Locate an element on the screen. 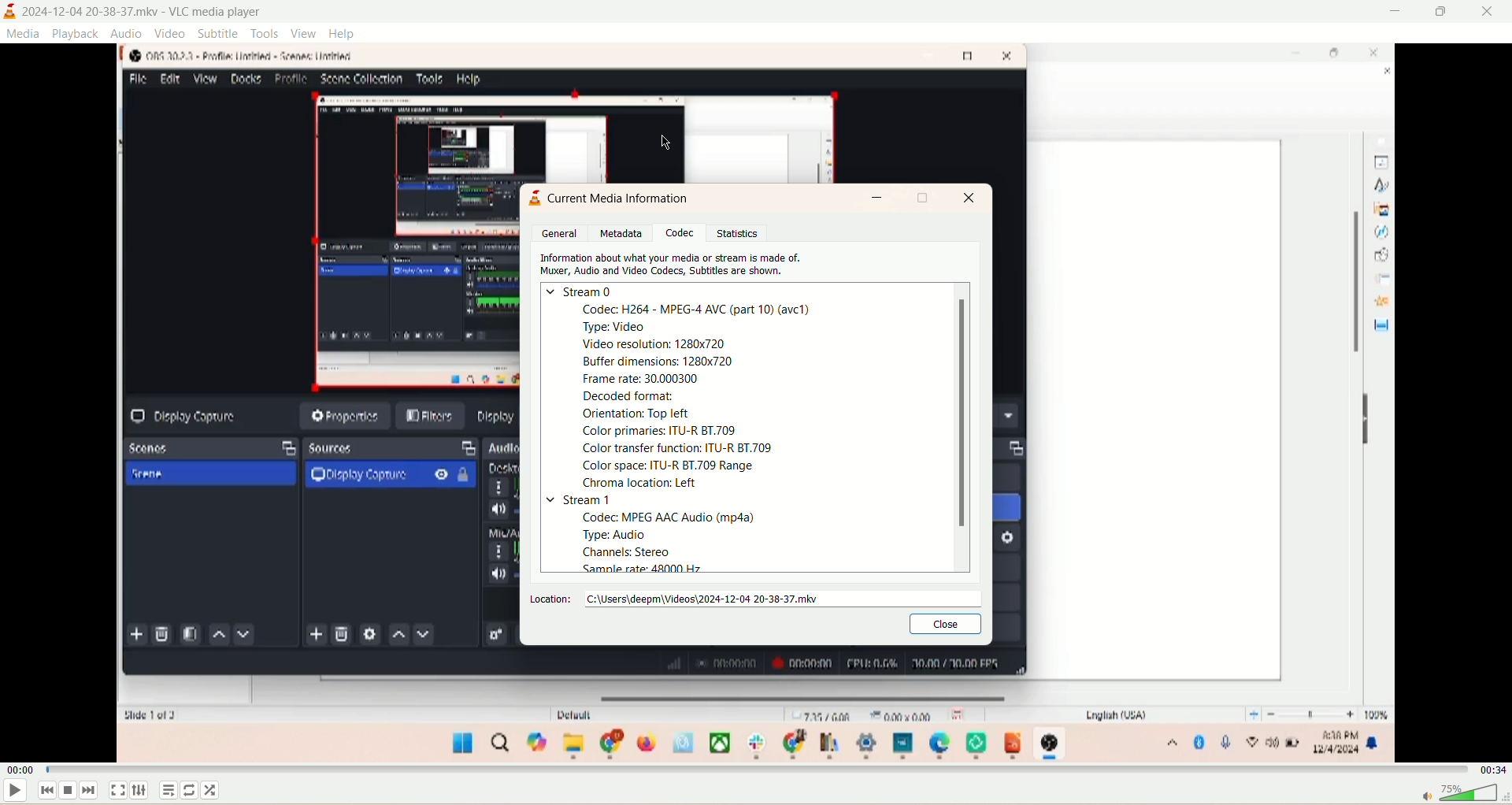 The height and width of the screenshot is (805, 1512). total time is located at coordinates (1493, 770).